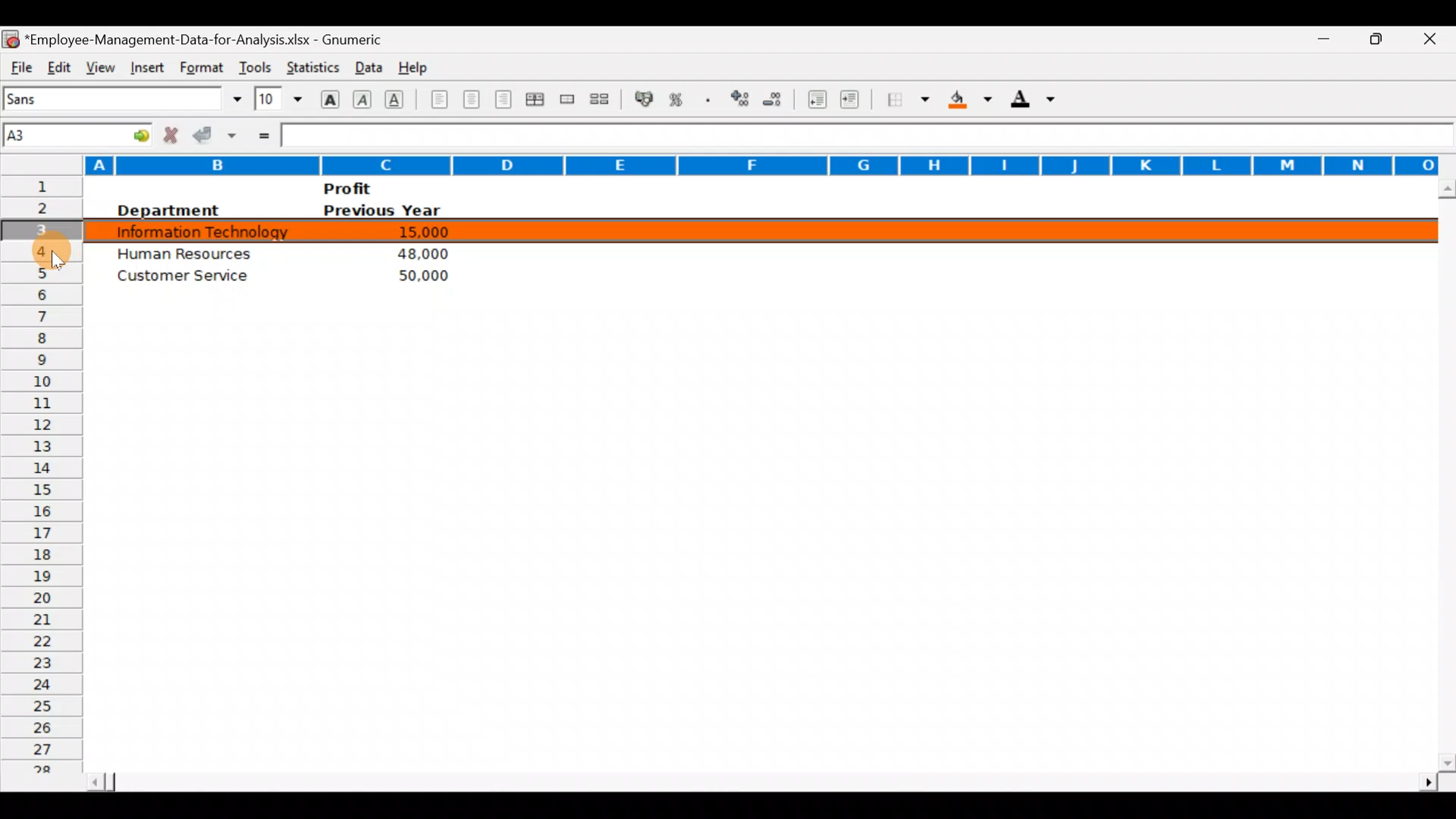 Image resolution: width=1456 pixels, height=819 pixels. I want to click on Columns, so click(724, 161).